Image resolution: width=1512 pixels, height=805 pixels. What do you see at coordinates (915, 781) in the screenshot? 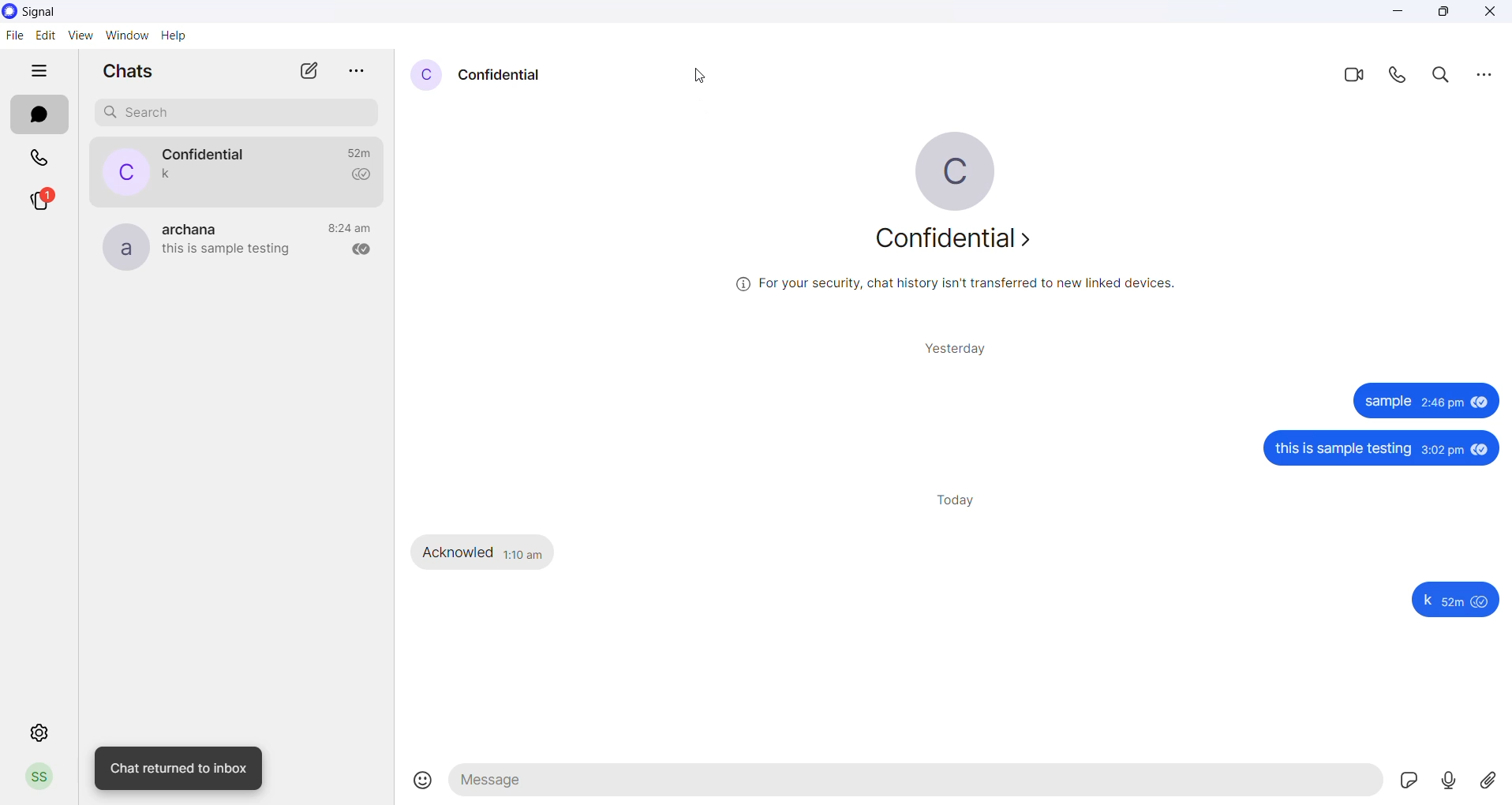
I see `message text area` at bounding box center [915, 781].